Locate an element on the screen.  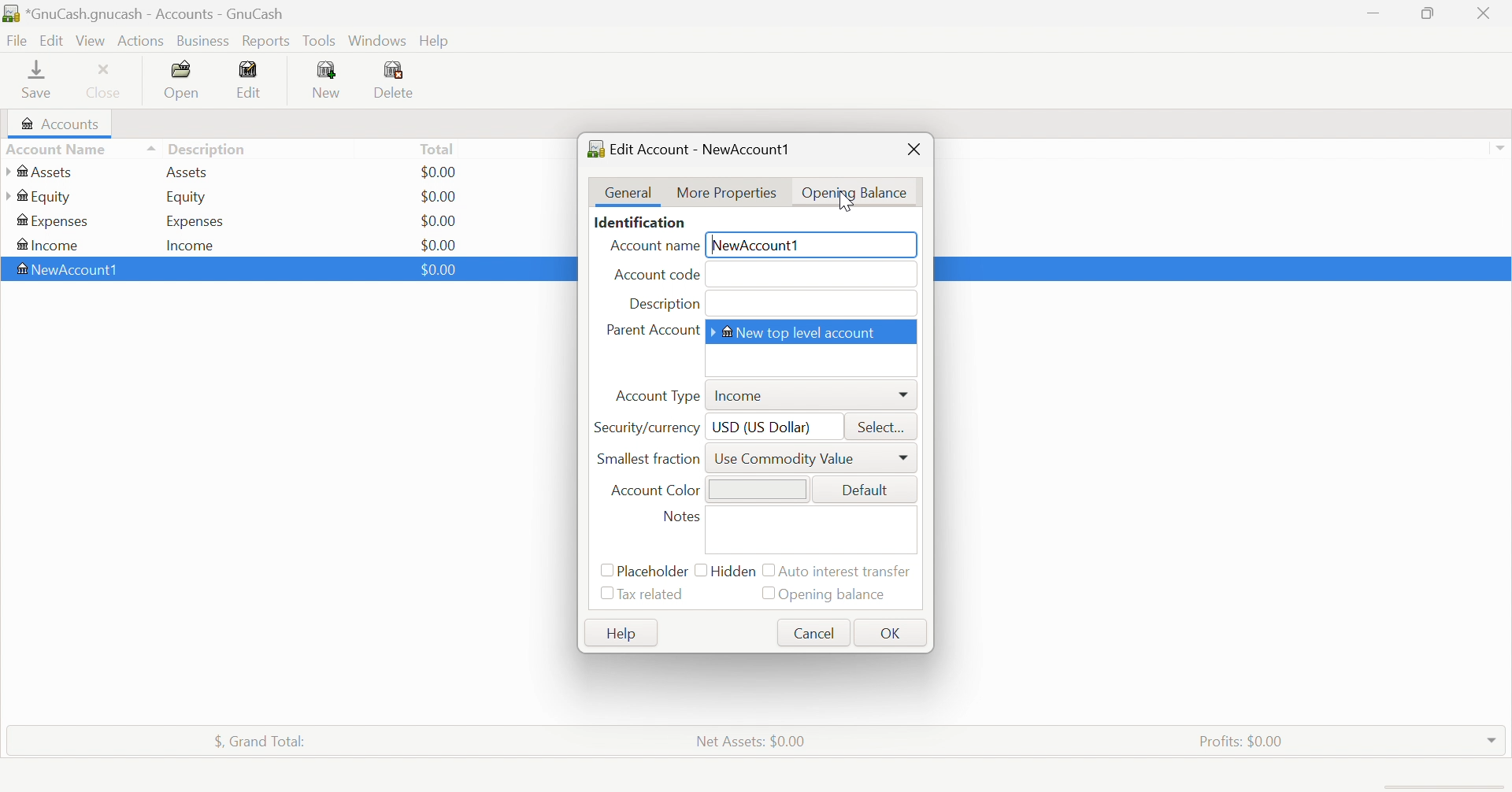
Help is located at coordinates (623, 632).